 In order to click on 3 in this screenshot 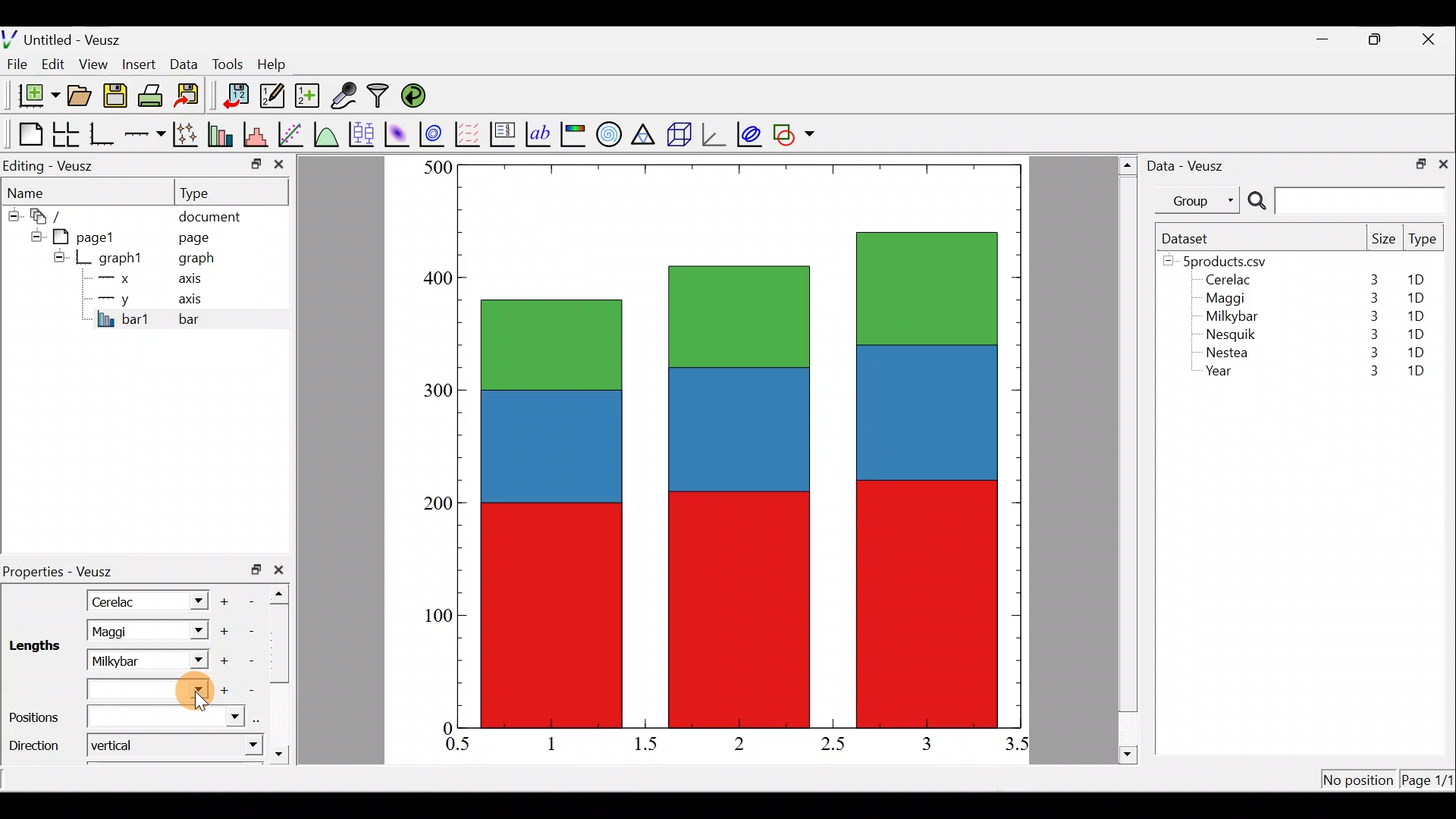, I will do `click(1366, 372)`.